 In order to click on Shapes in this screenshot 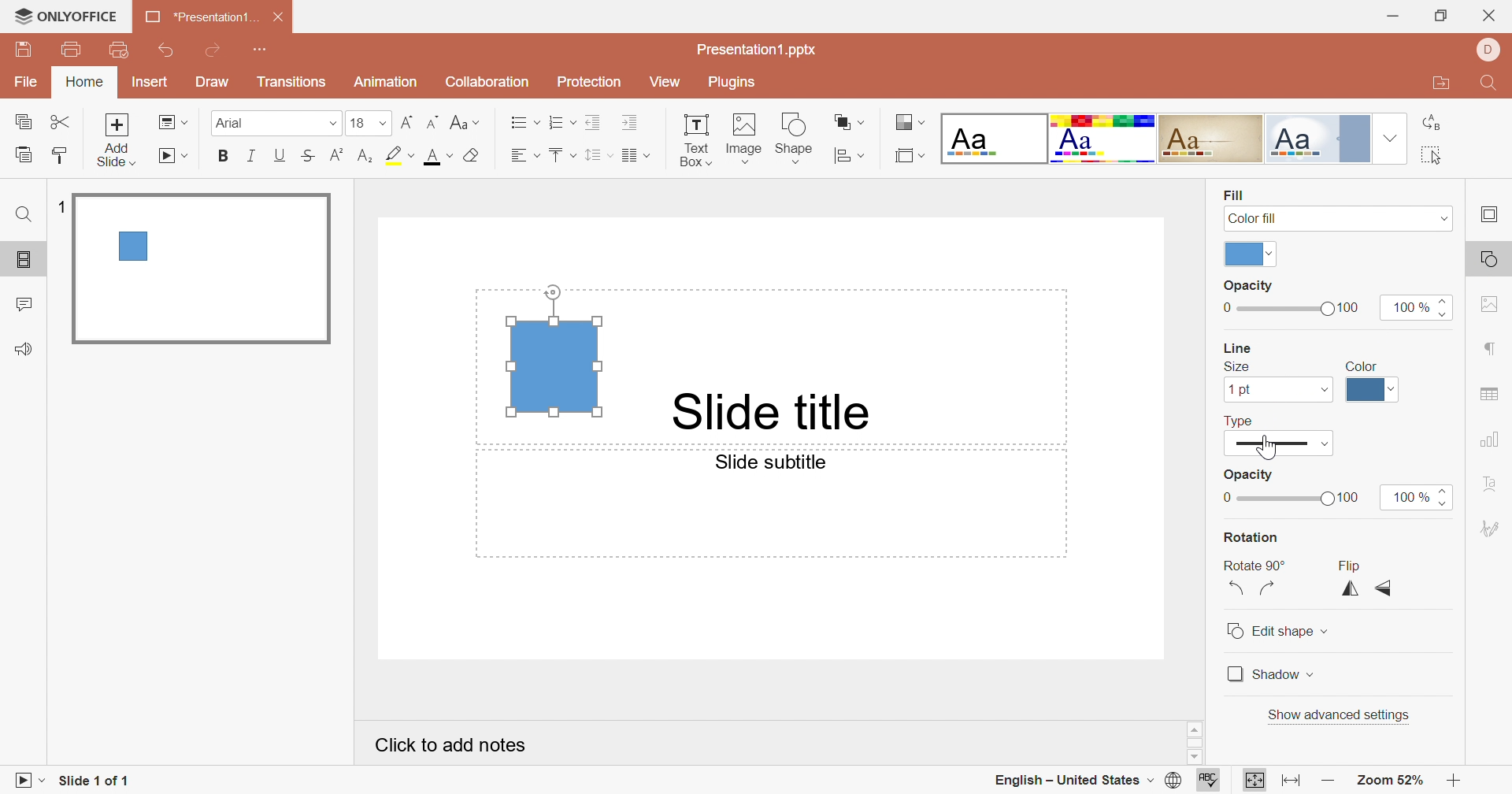, I will do `click(798, 137)`.